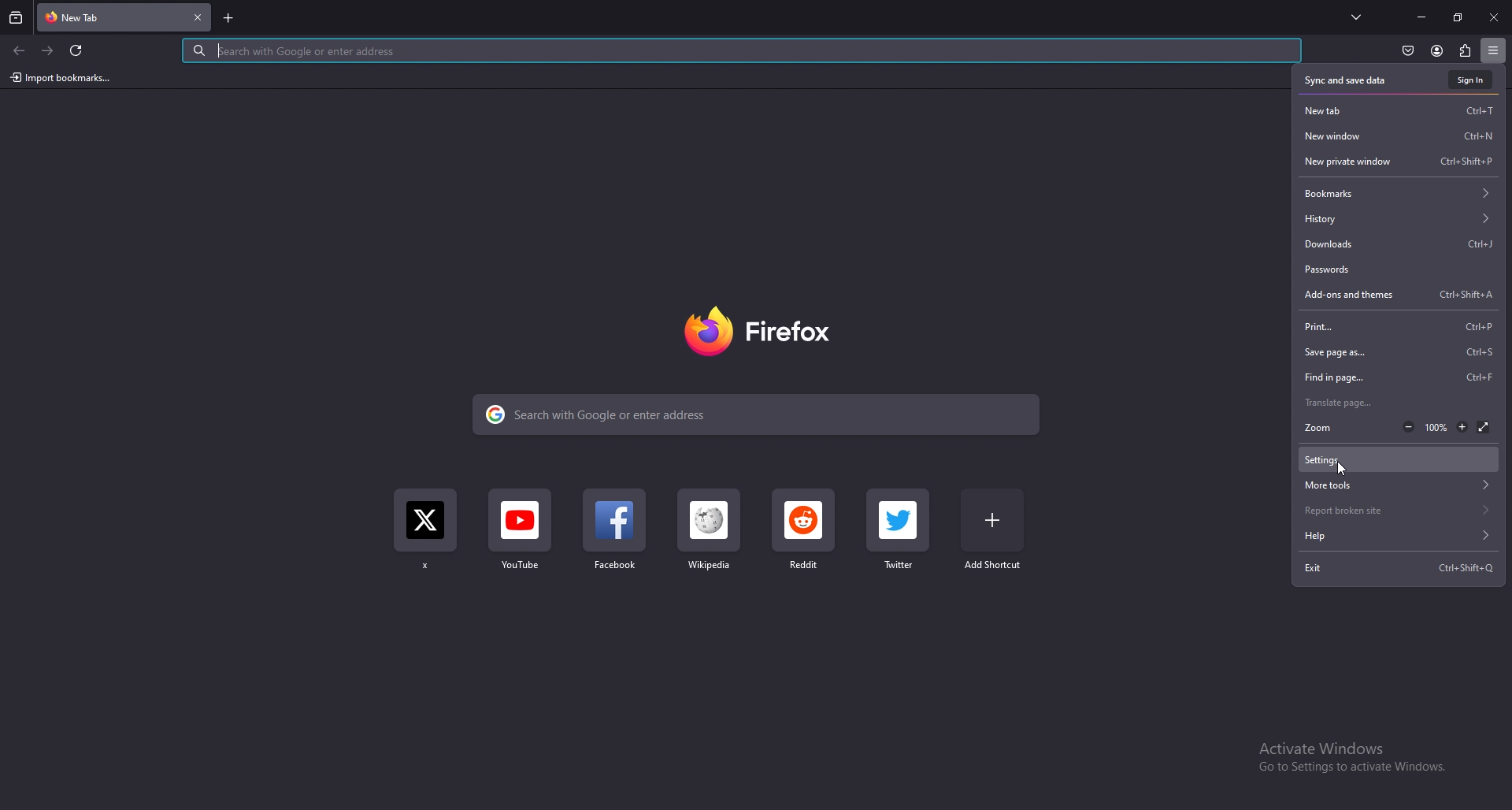 This screenshot has height=810, width=1512. I want to click on tab, so click(82, 18).